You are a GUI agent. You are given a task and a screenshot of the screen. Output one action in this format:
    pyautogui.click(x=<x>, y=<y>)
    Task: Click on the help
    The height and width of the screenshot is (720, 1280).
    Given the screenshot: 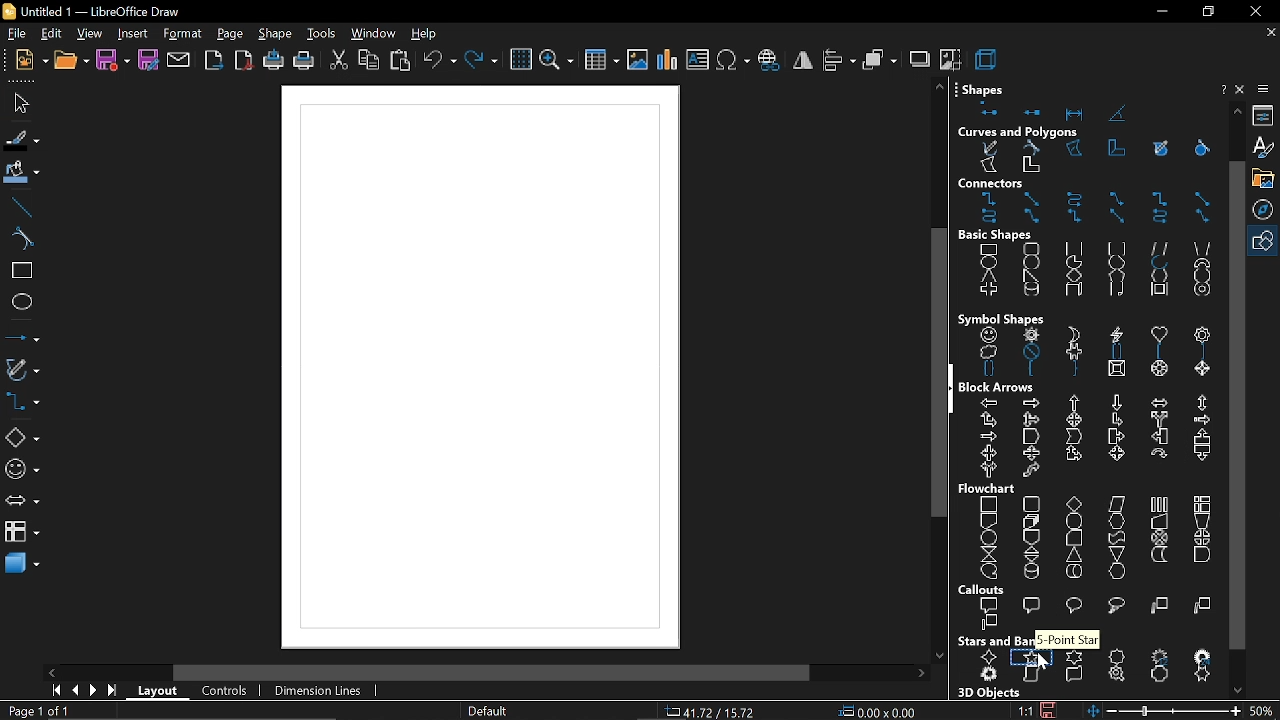 What is the action you would take?
    pyautogui.click(x=427, y=34)
    